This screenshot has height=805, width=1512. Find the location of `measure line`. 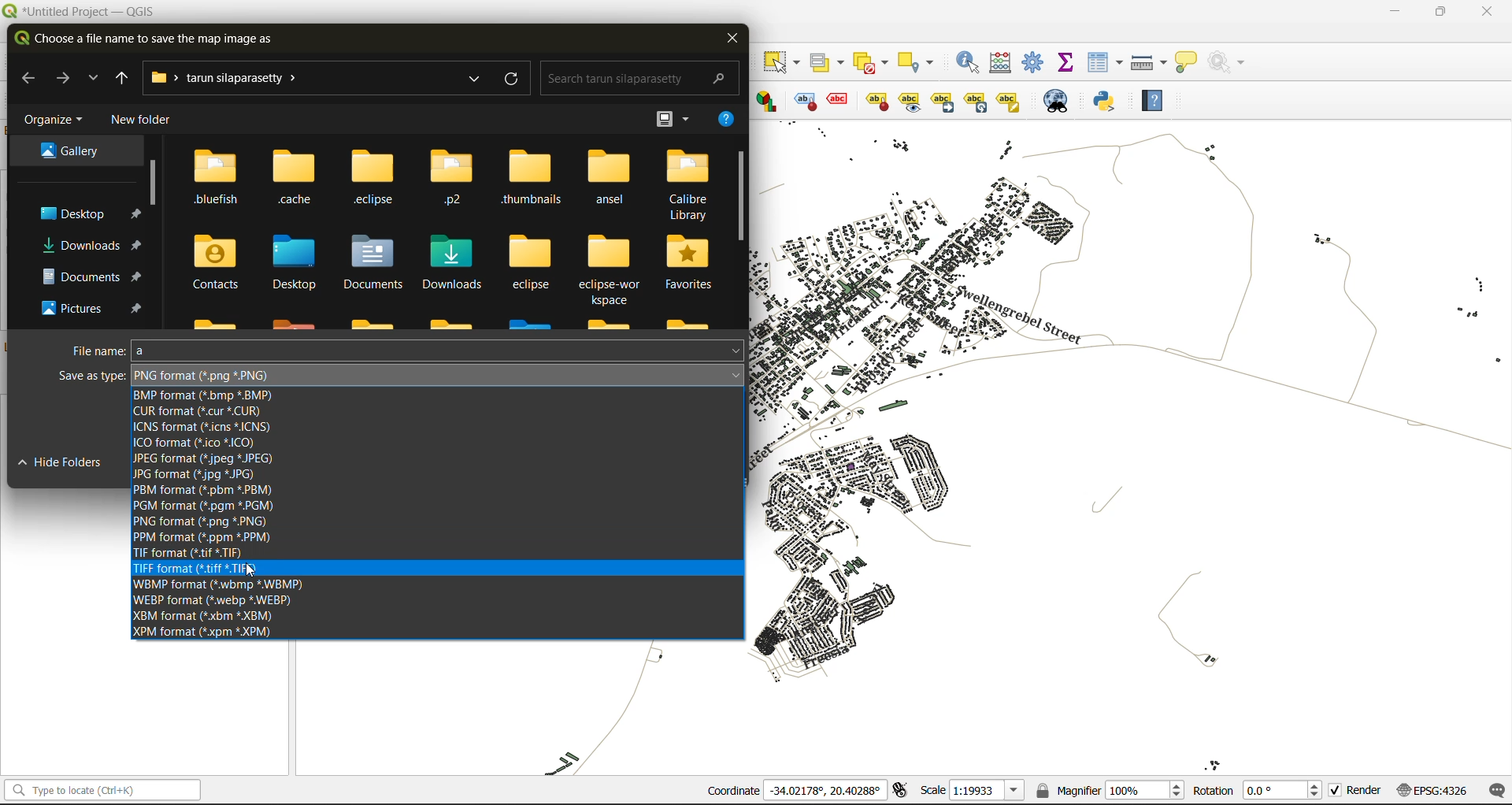

measure line is located at coordinates (1149, 61).